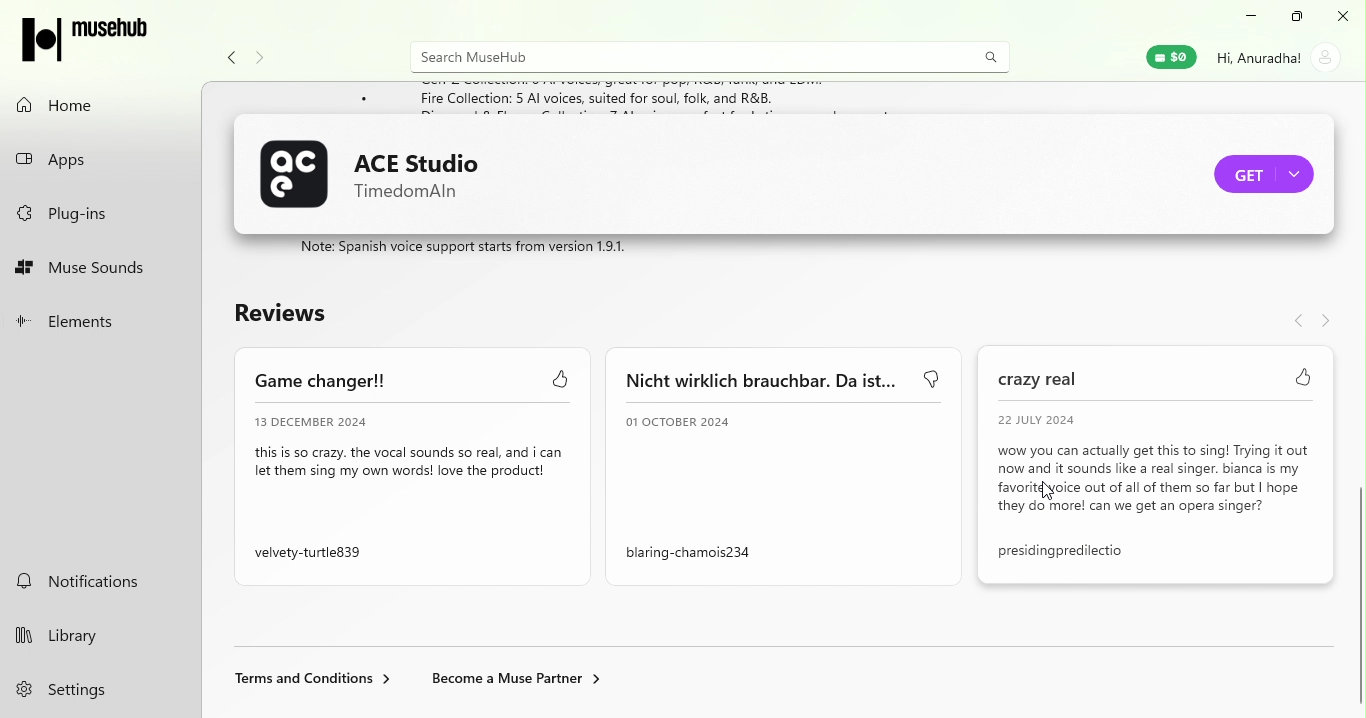  Describe the element at coordinates (102, 158) in the screenshot. I see `apps` at that location.